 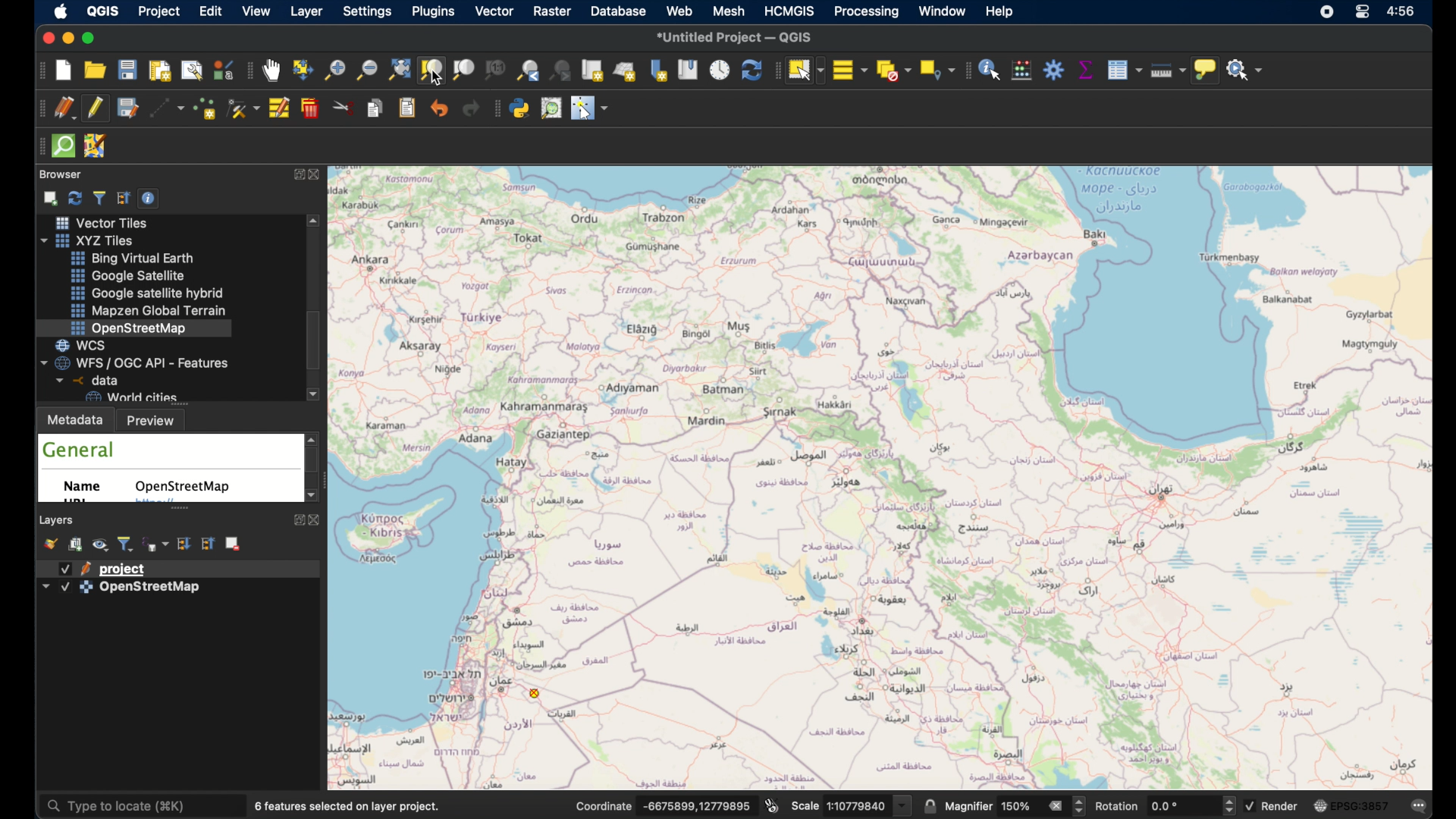 I want to click on checkbox, so click(x=1250, y=806).